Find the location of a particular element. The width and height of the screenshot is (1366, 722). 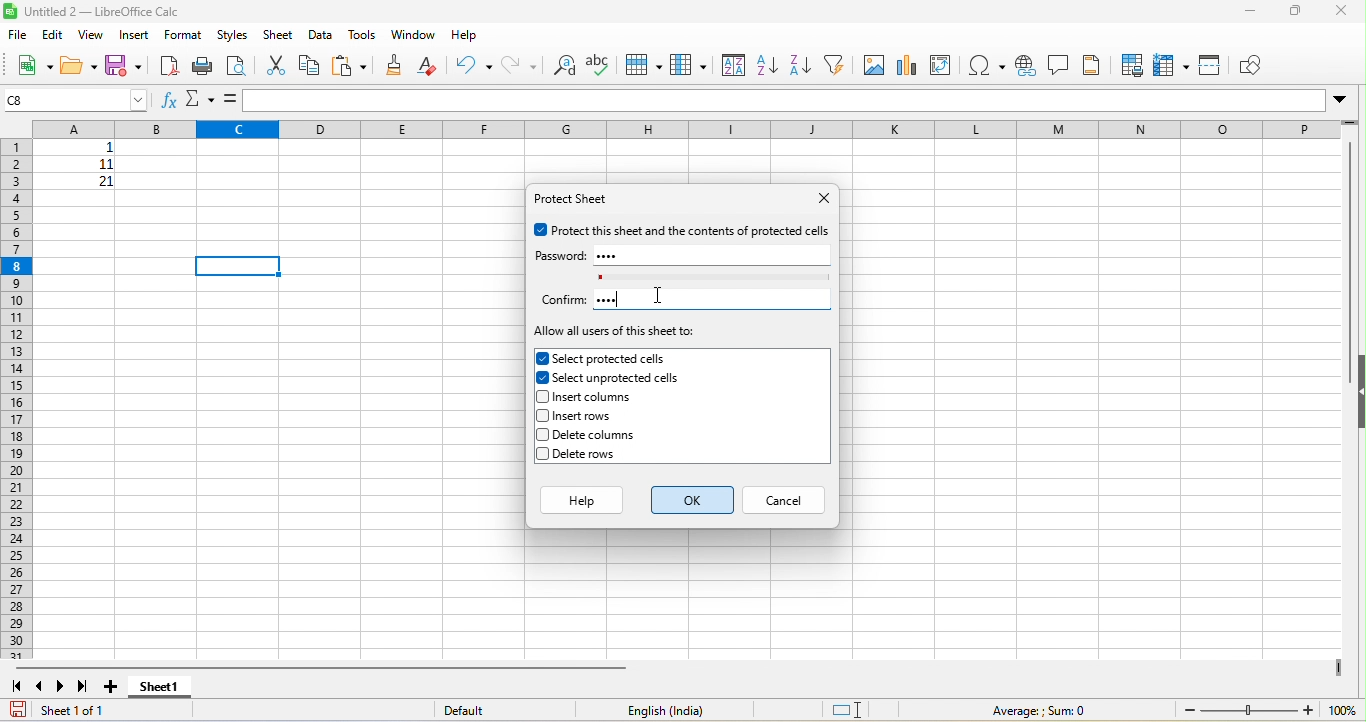

maximize is located at coordinates (1297, 13).